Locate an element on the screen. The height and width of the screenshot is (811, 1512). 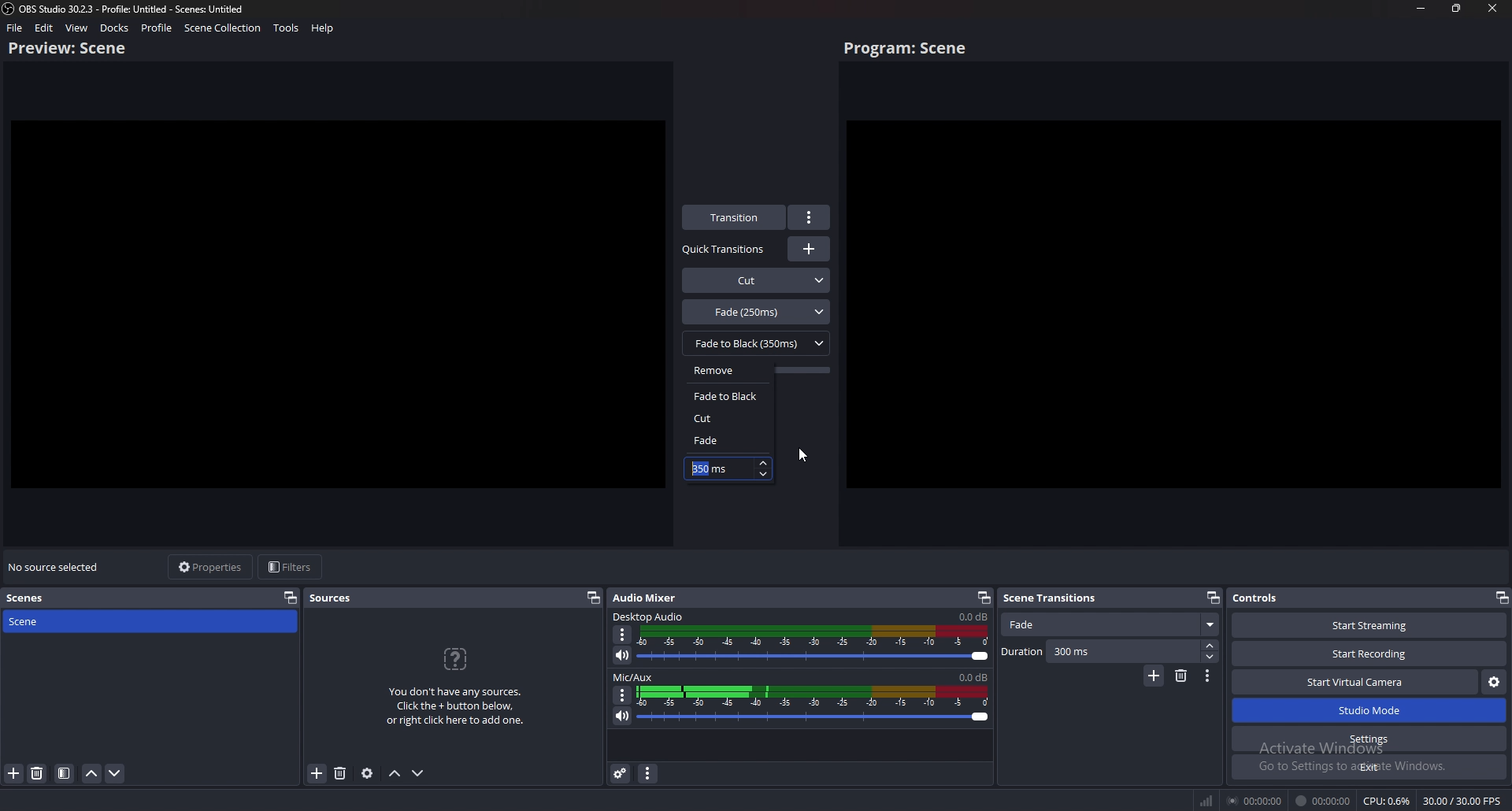
Desktop audio is located at coordinates (972, 617).